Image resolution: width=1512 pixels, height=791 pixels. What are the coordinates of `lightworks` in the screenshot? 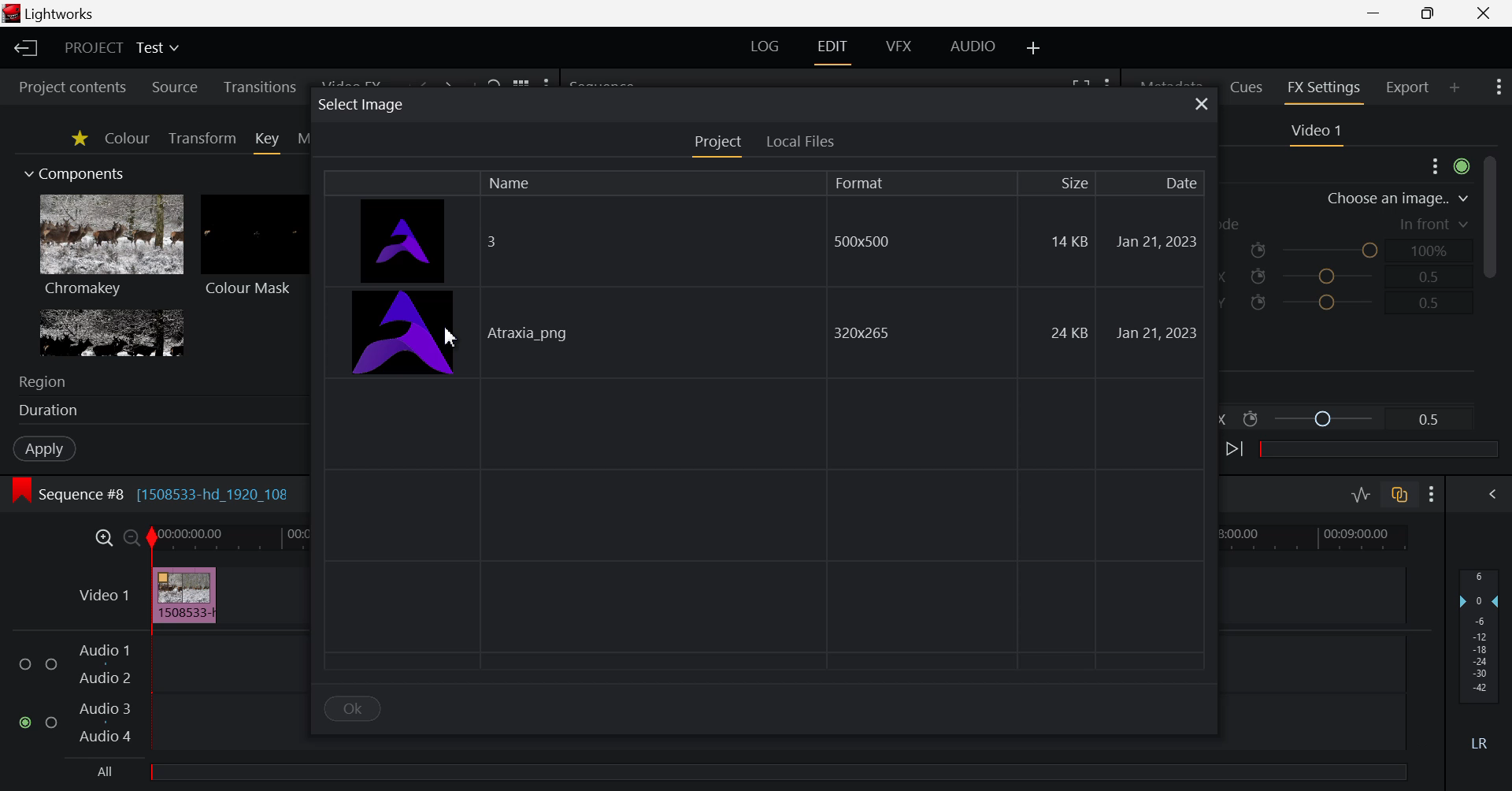 It's located at (52, 14).